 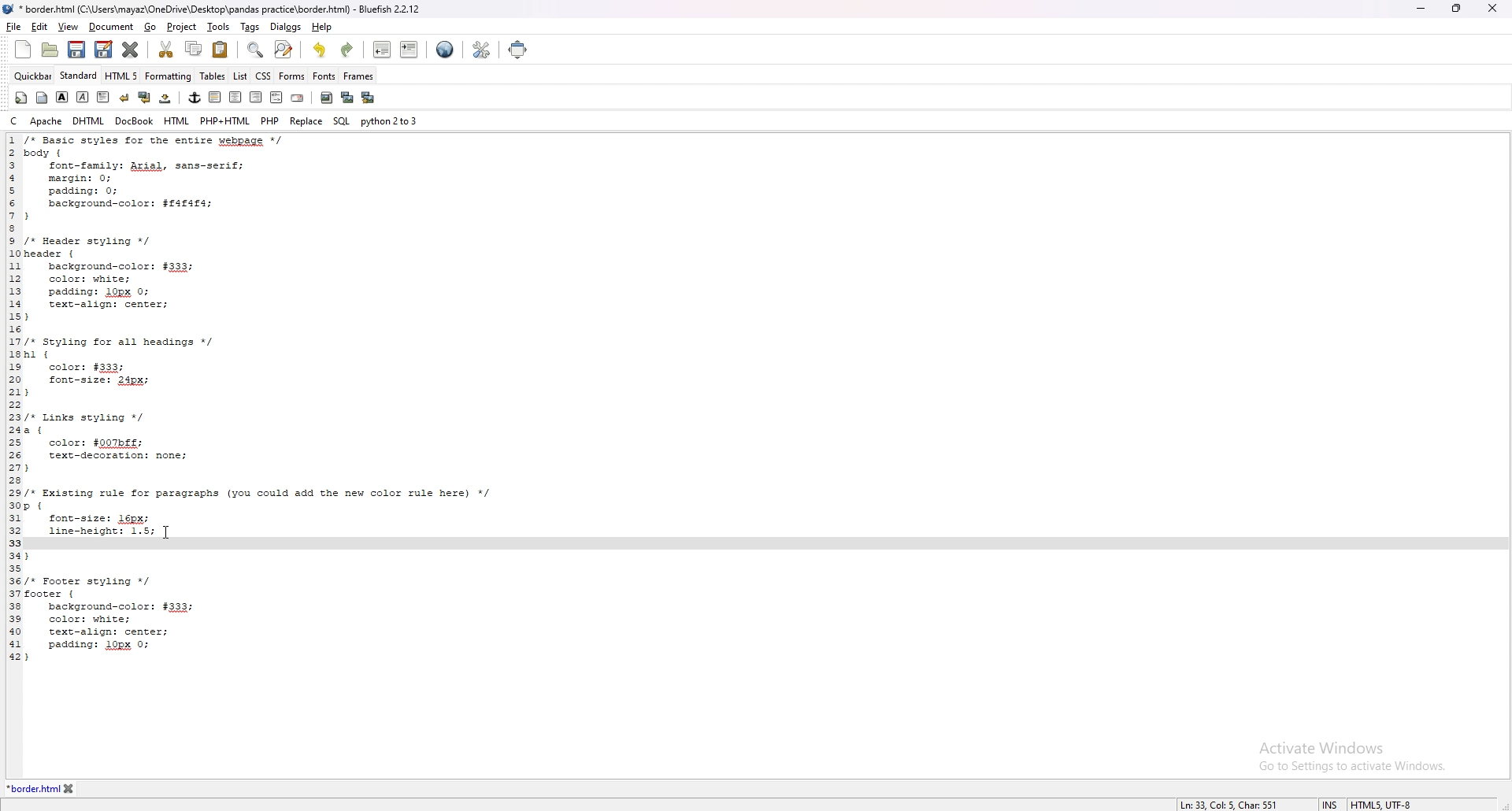 What do you see at coordinates (110, 28) in the screenshot?
I see `document` at bounding box center [110, 28].